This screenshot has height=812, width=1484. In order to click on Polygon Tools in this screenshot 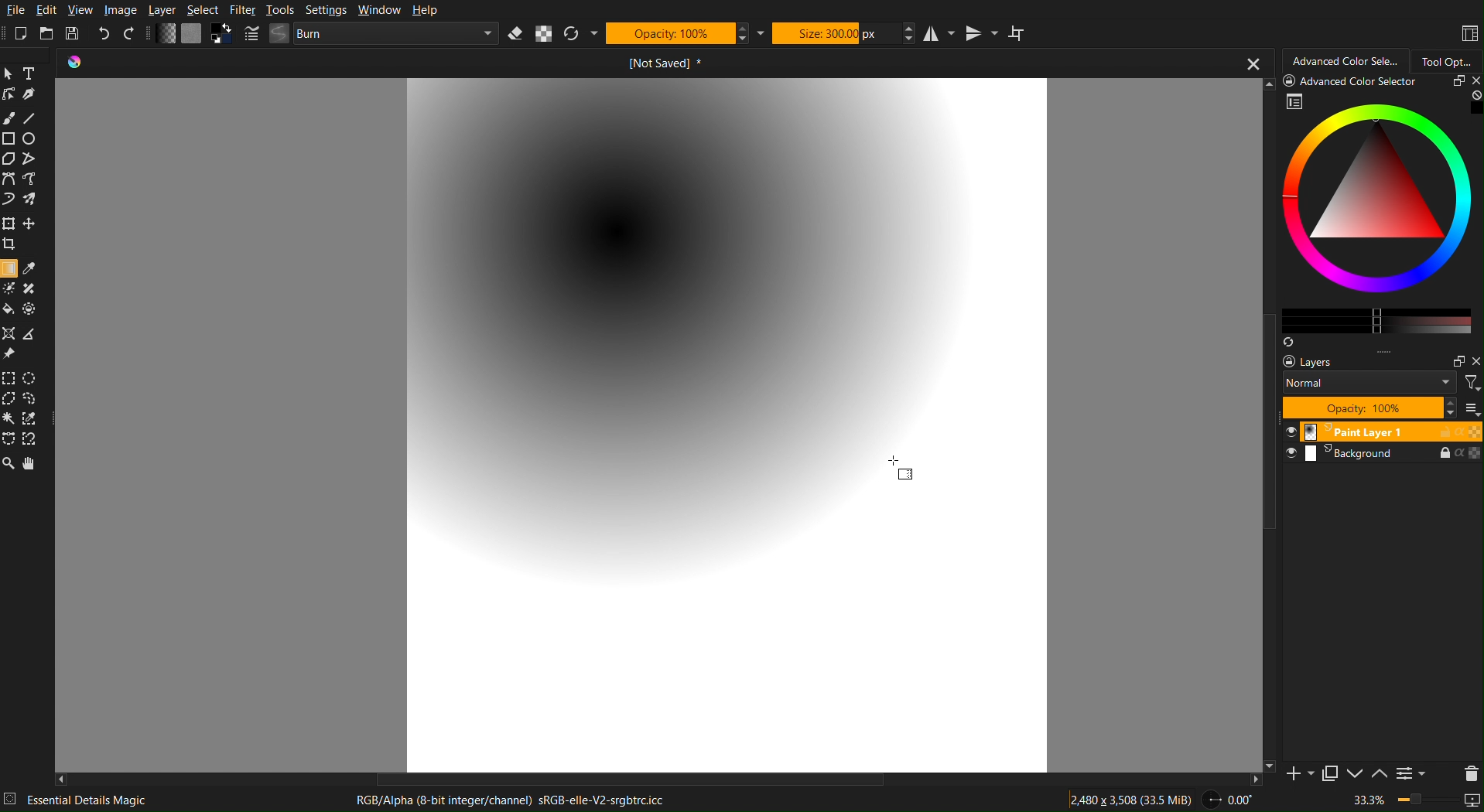, I will do `click(22, 159)`.